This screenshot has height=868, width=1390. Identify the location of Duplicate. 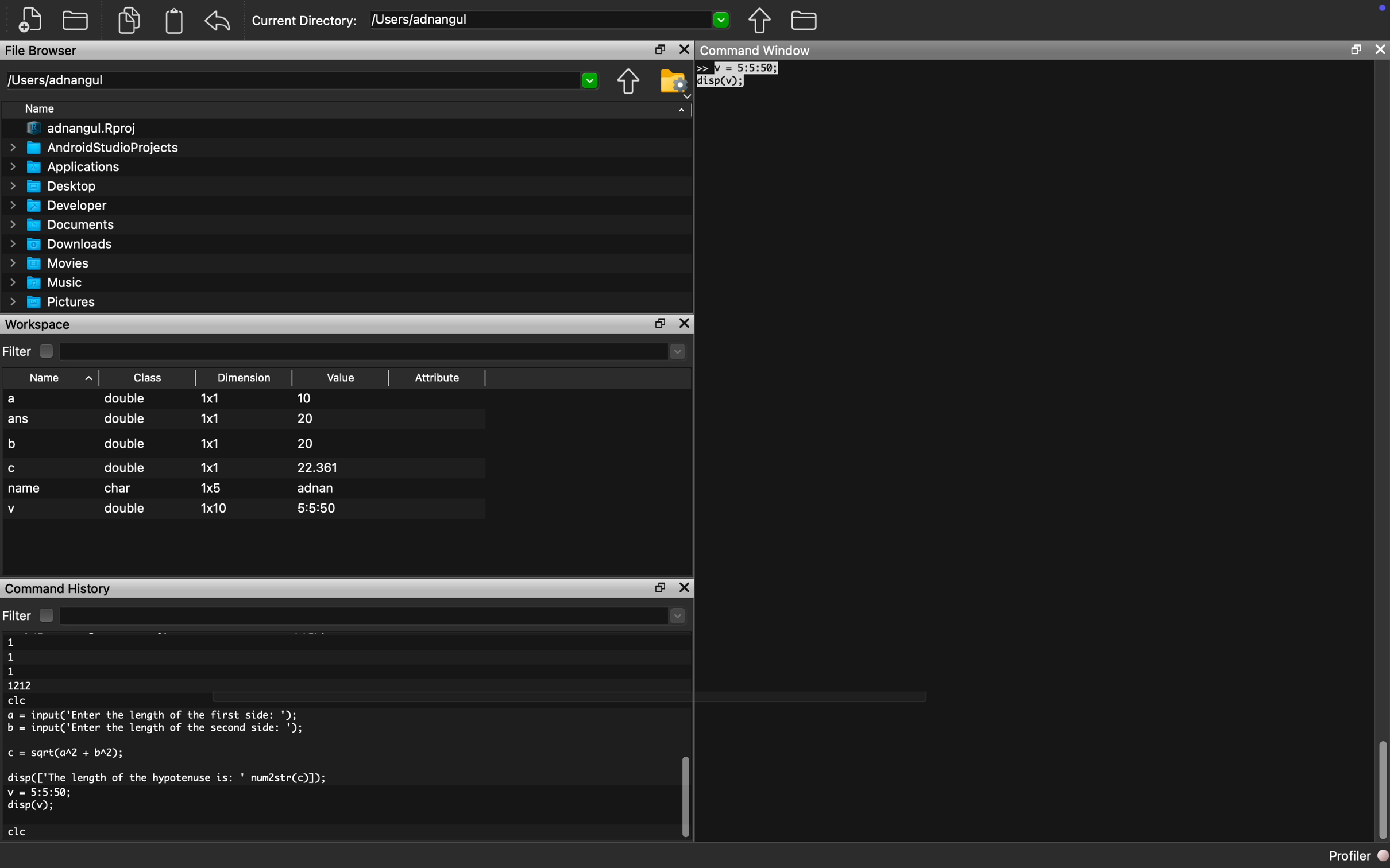
(128, 20).